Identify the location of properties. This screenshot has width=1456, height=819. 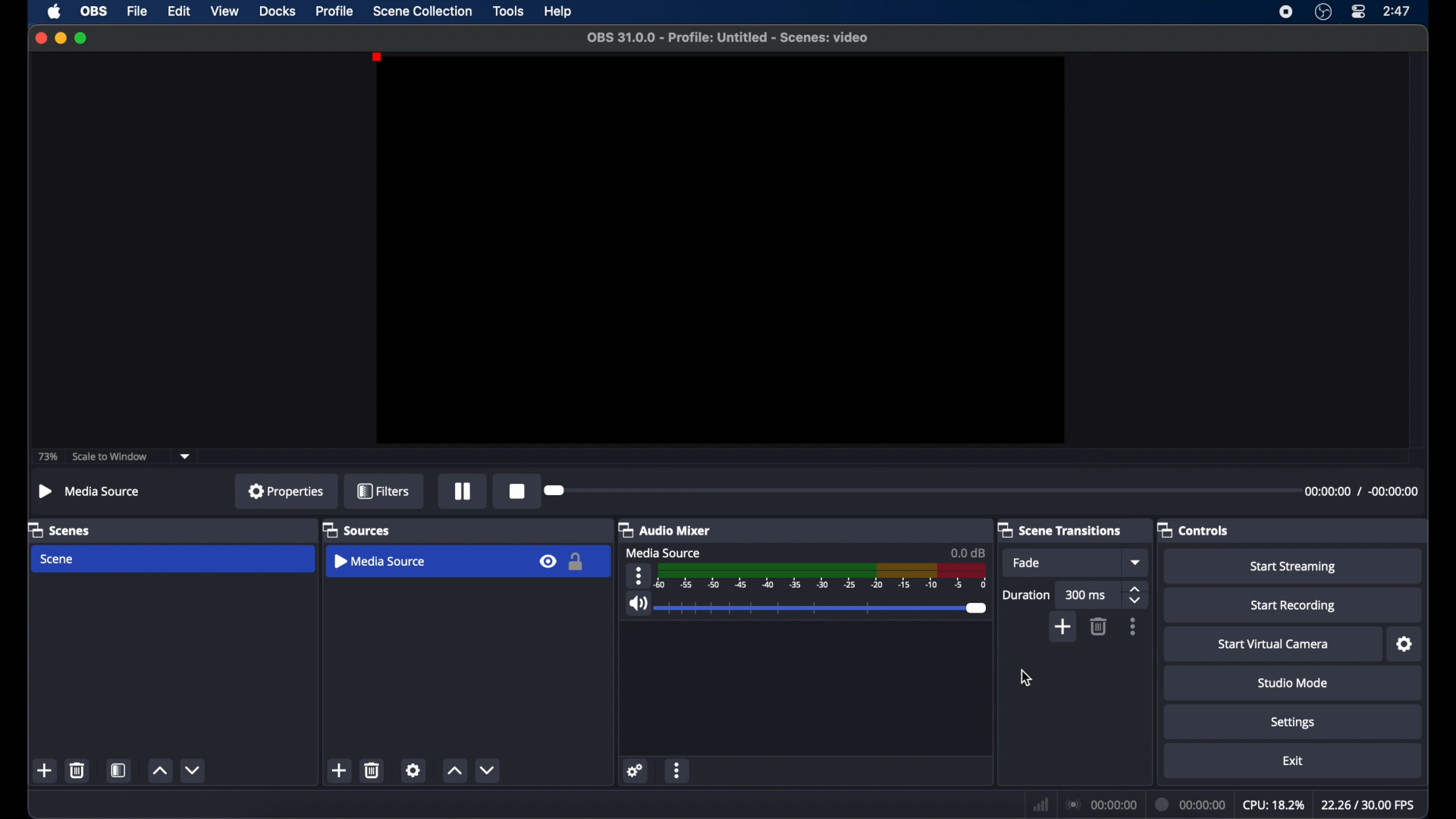
(287, 491).